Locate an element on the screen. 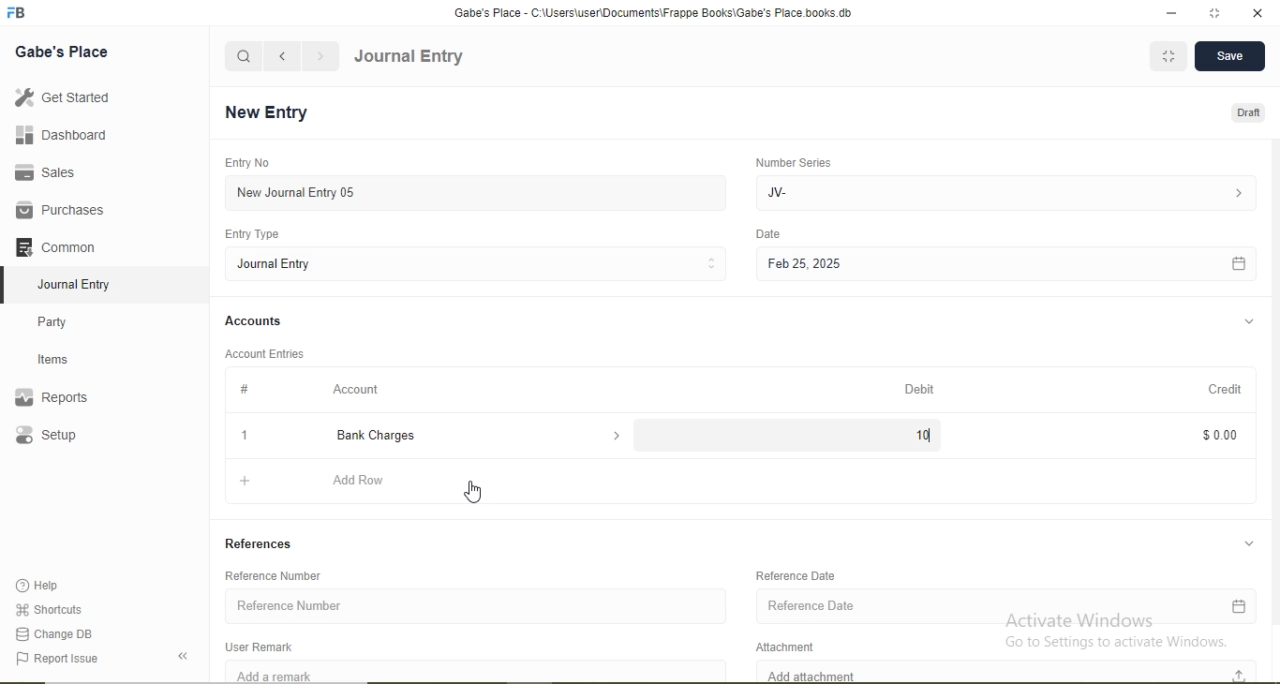 Image resolution: width=1280 pixels, height=684 pixels. Account Entries is located at coordinates (263, 352).